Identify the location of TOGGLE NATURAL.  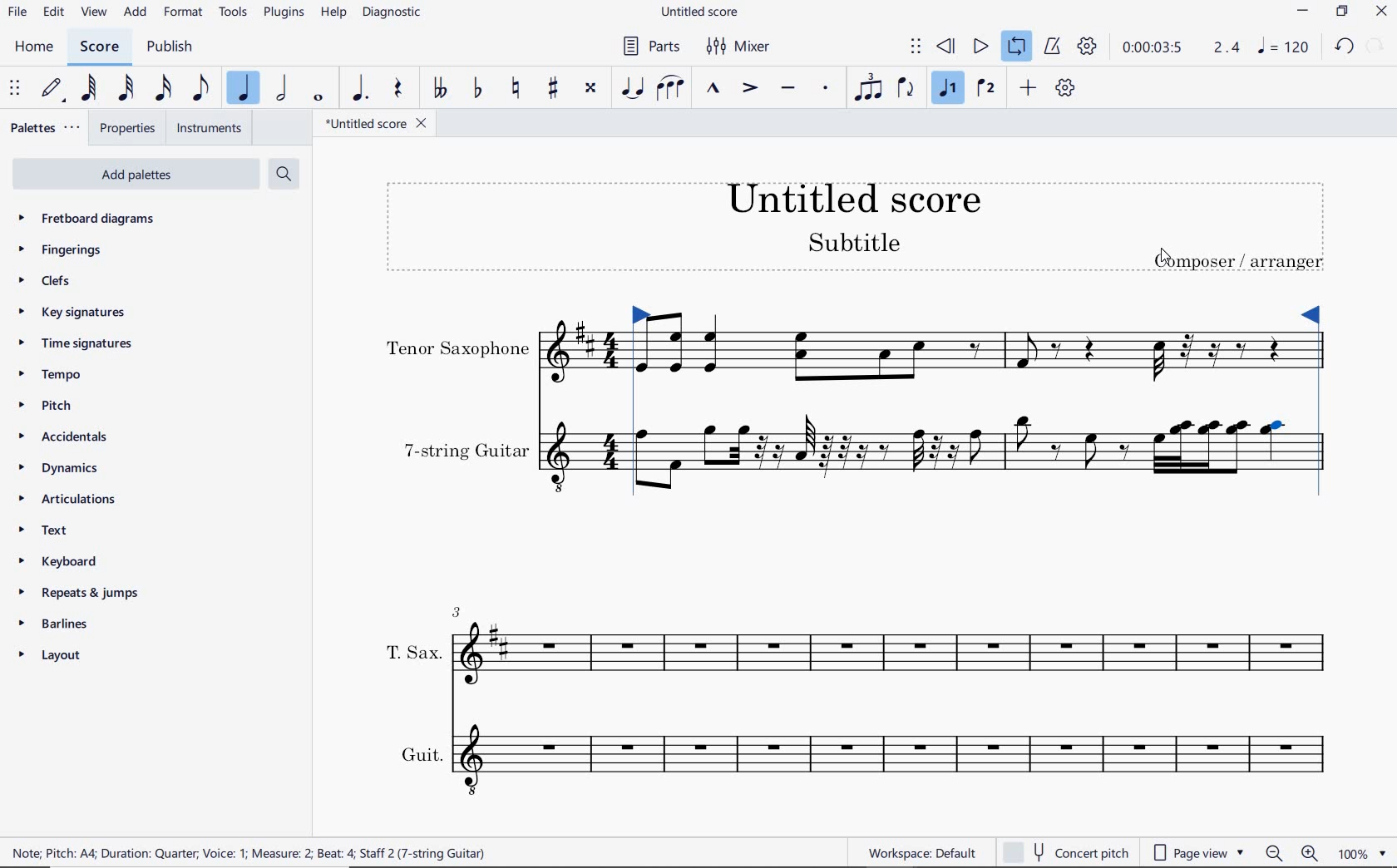
(516, 88).